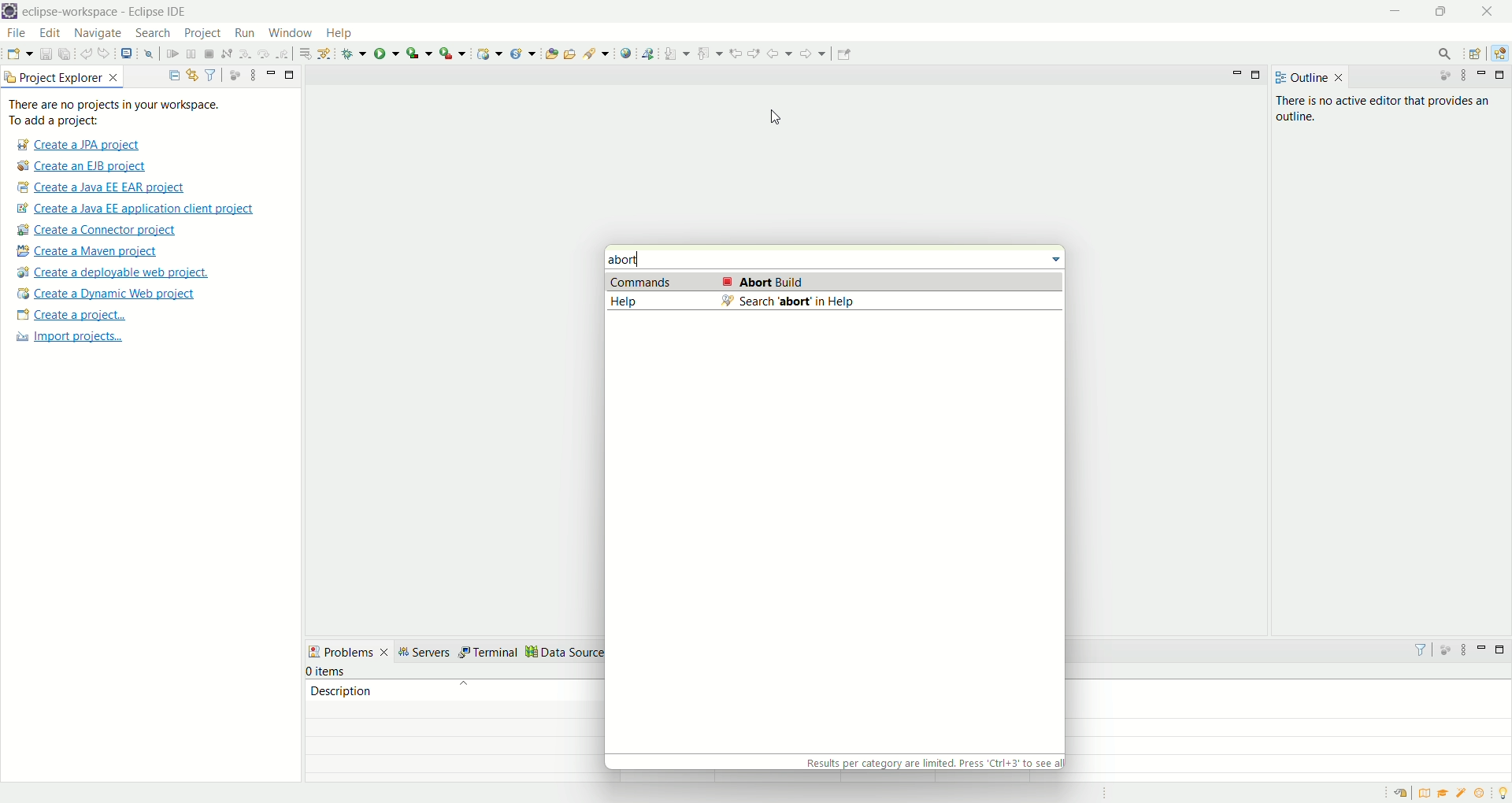 Image resolution: width=1512 pixels, height=803 pixels. Describe the element at coordinates (779, 54) in the screenshot. I see `back` at that location.